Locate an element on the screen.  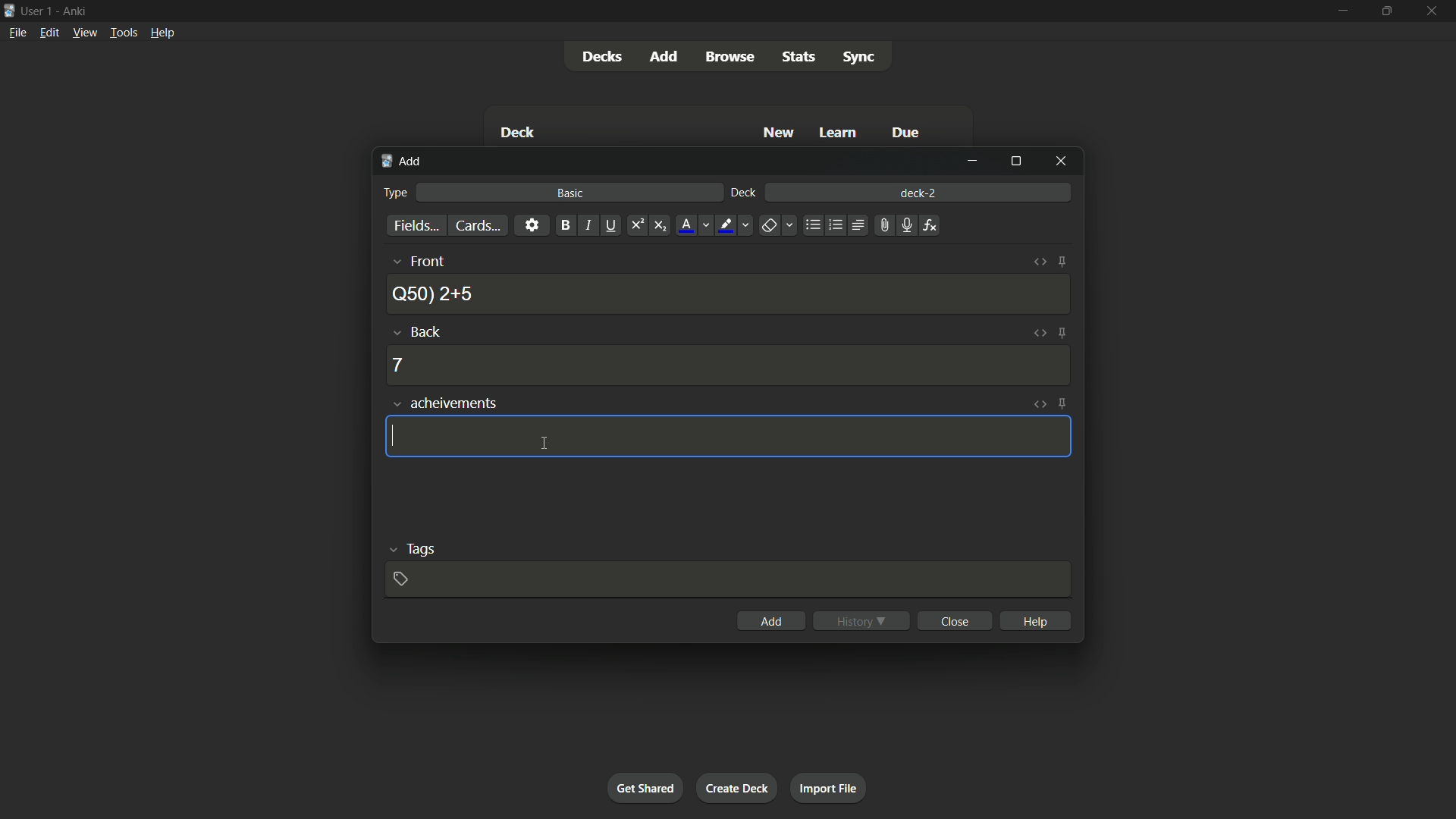
achievements is located at coordinates (442, 404).